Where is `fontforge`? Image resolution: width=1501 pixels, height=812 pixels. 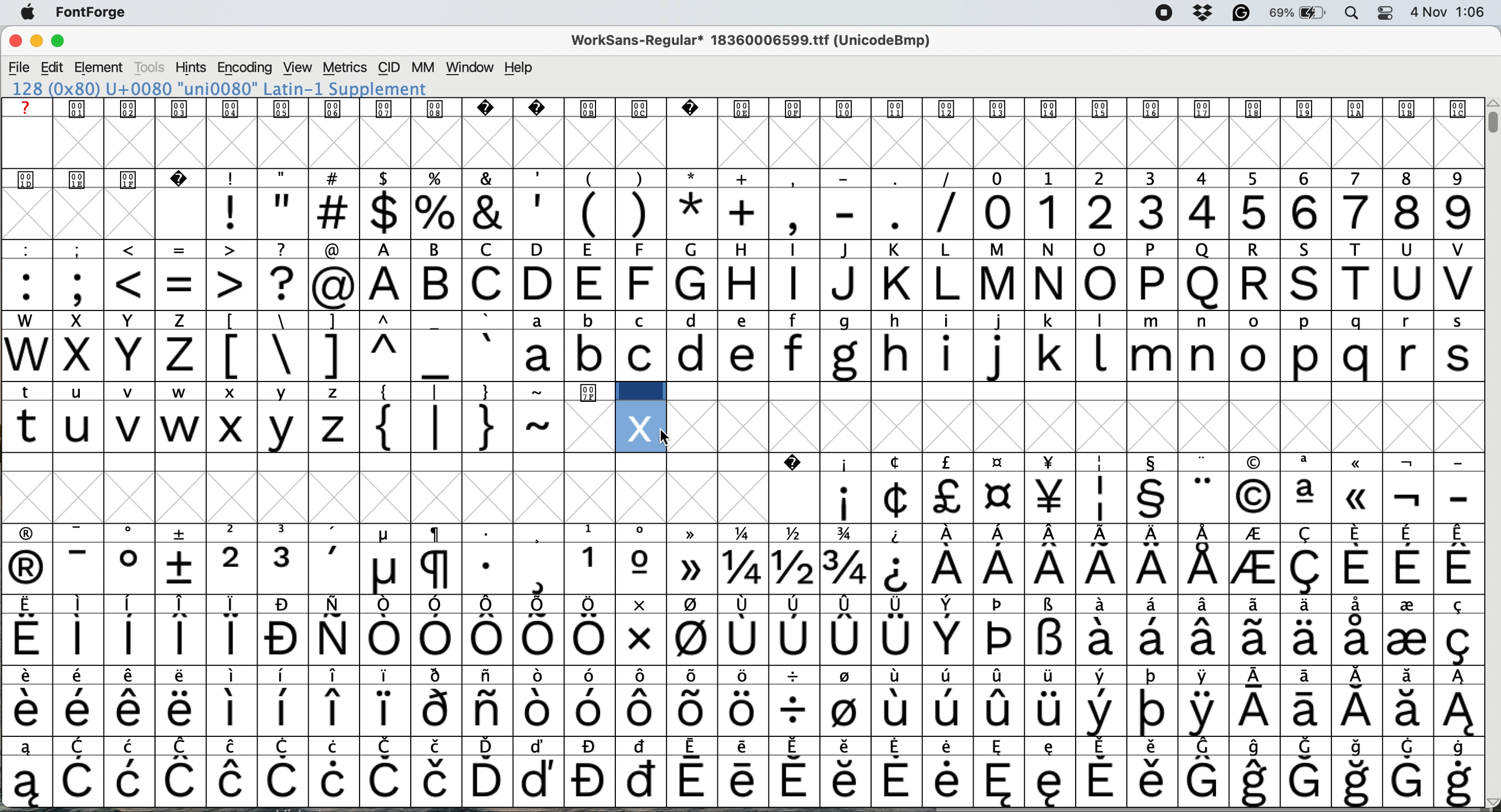
fontforge is located at coordinates (96, 15).